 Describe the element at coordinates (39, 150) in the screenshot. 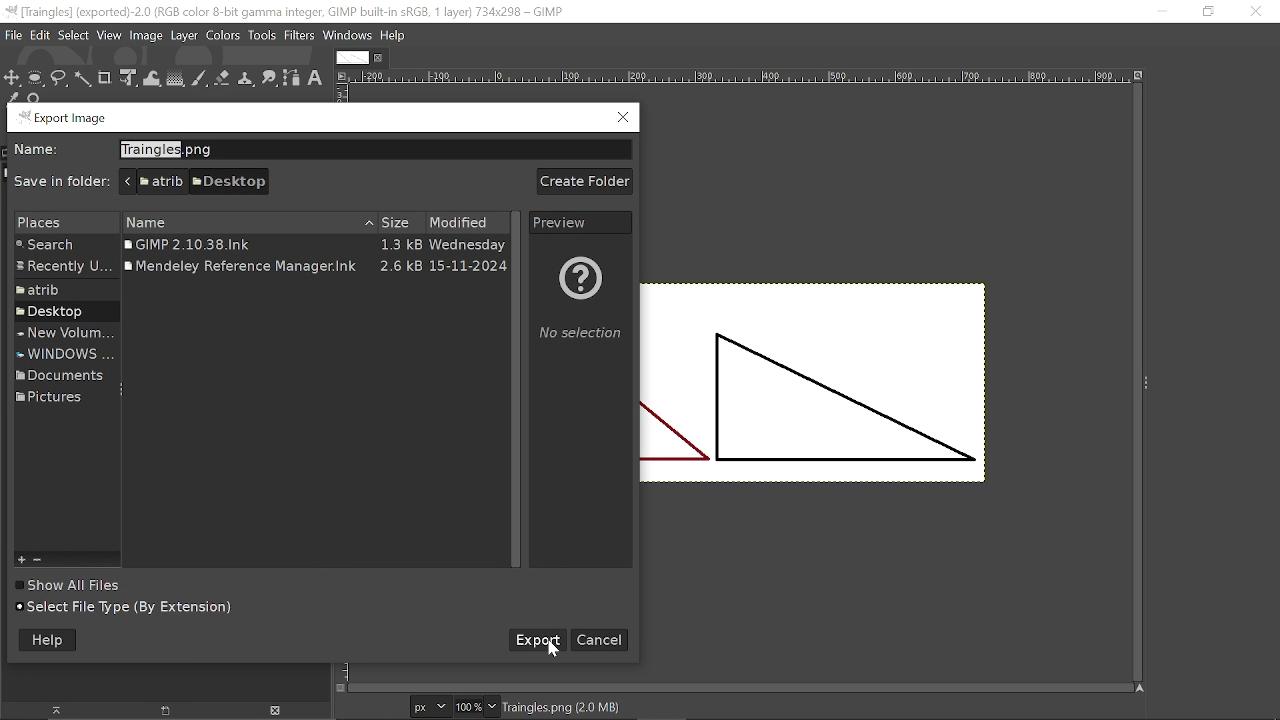

I see `Name:` at that location.